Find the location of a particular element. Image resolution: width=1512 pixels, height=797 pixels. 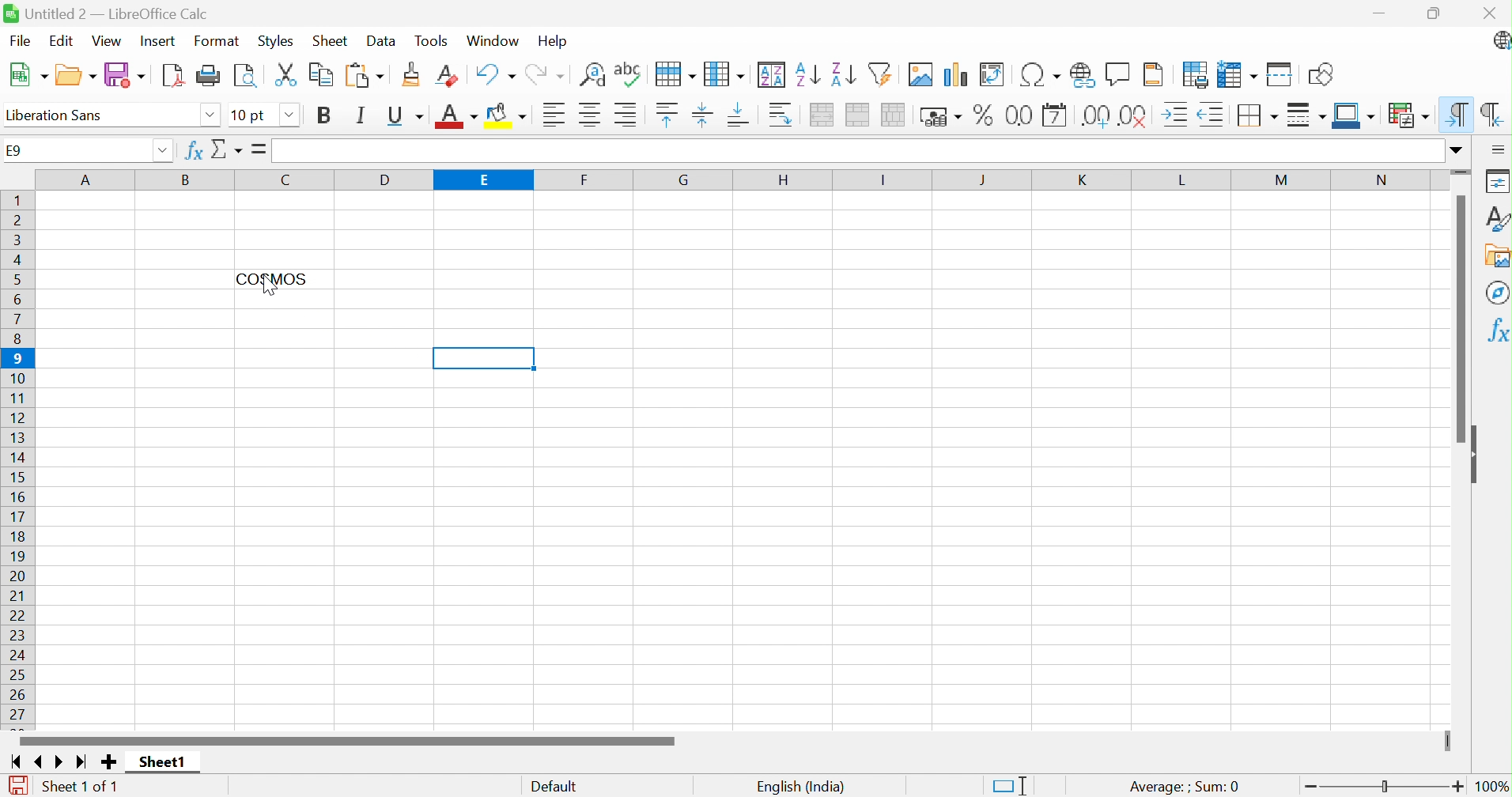

LibreOffice update available. is located at coordinates (1499, 41).